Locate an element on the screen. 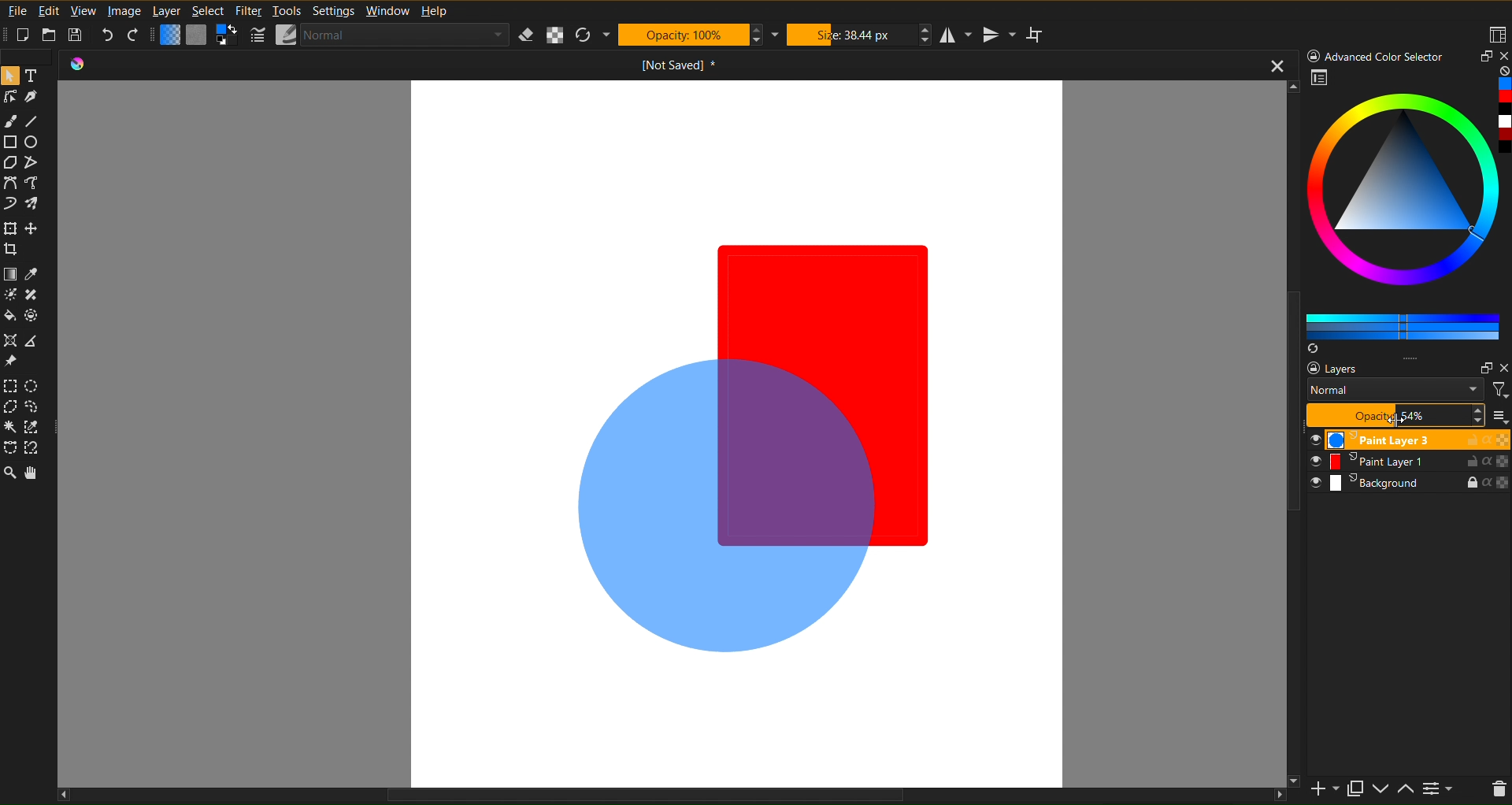  Shape Tools is located at coordinates (13, 164).